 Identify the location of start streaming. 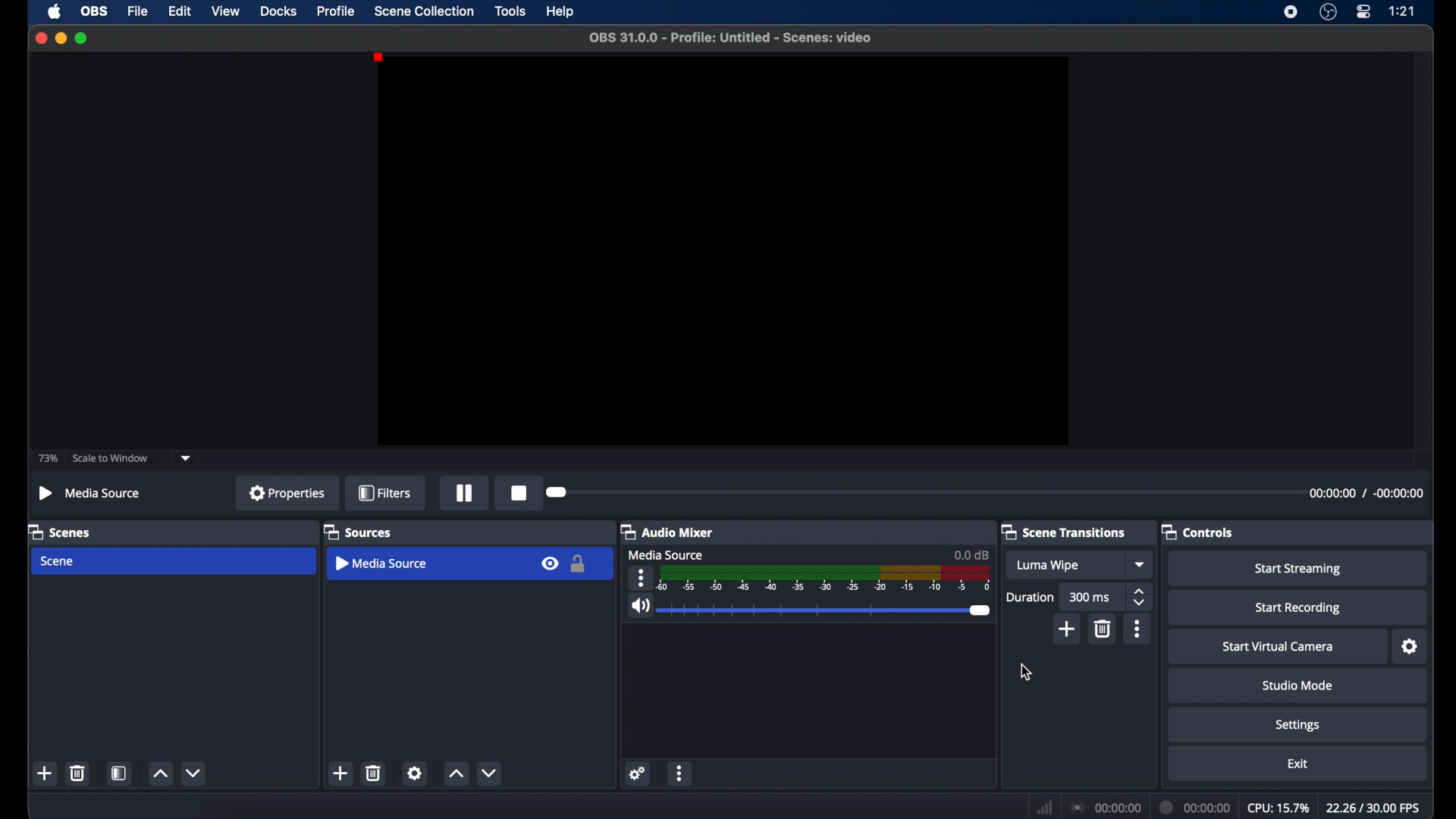
(1300, 568).